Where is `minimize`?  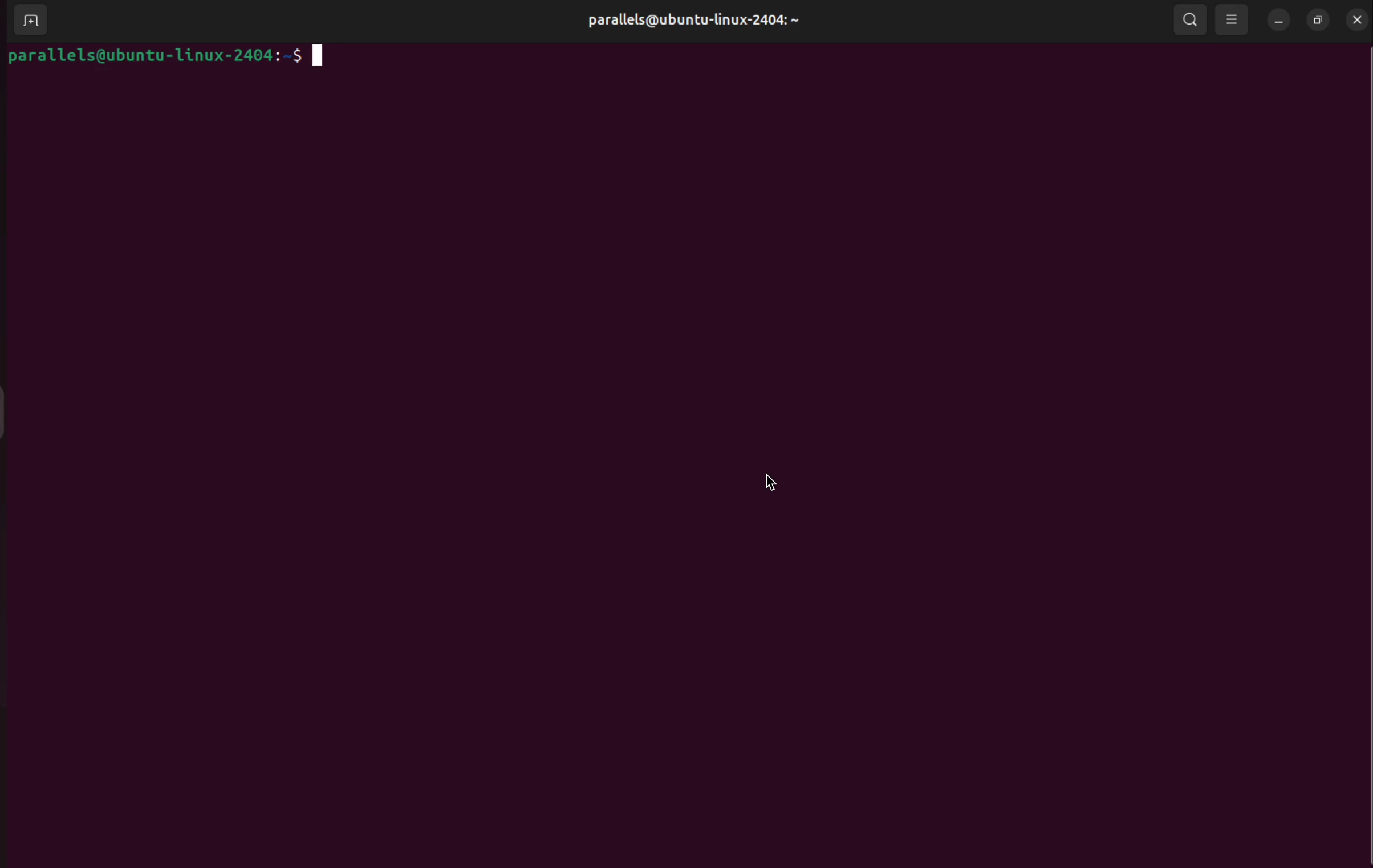 minimize is located at coordinates (1279, 19).